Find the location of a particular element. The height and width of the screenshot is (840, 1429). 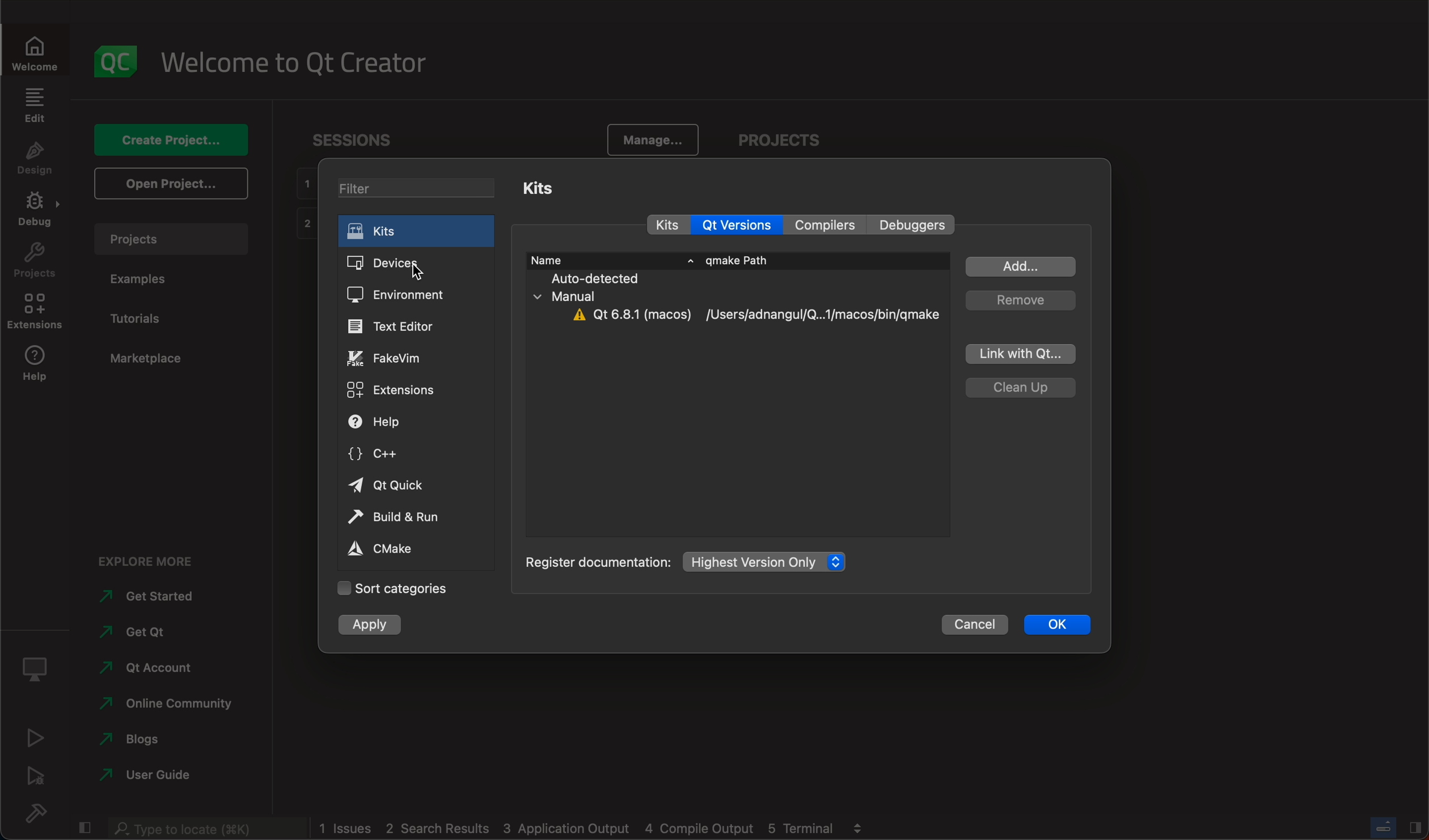

name is located at coordinates (610, 260).